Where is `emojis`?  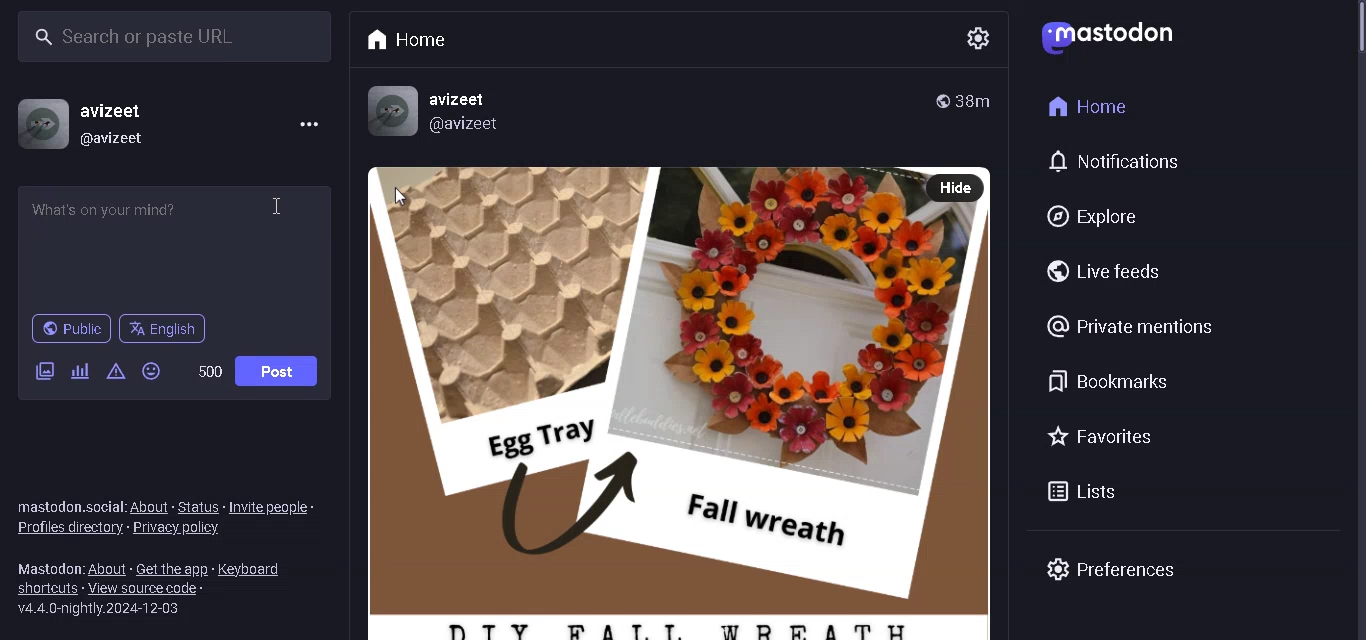
emojis is located at coordinates (154, 372).